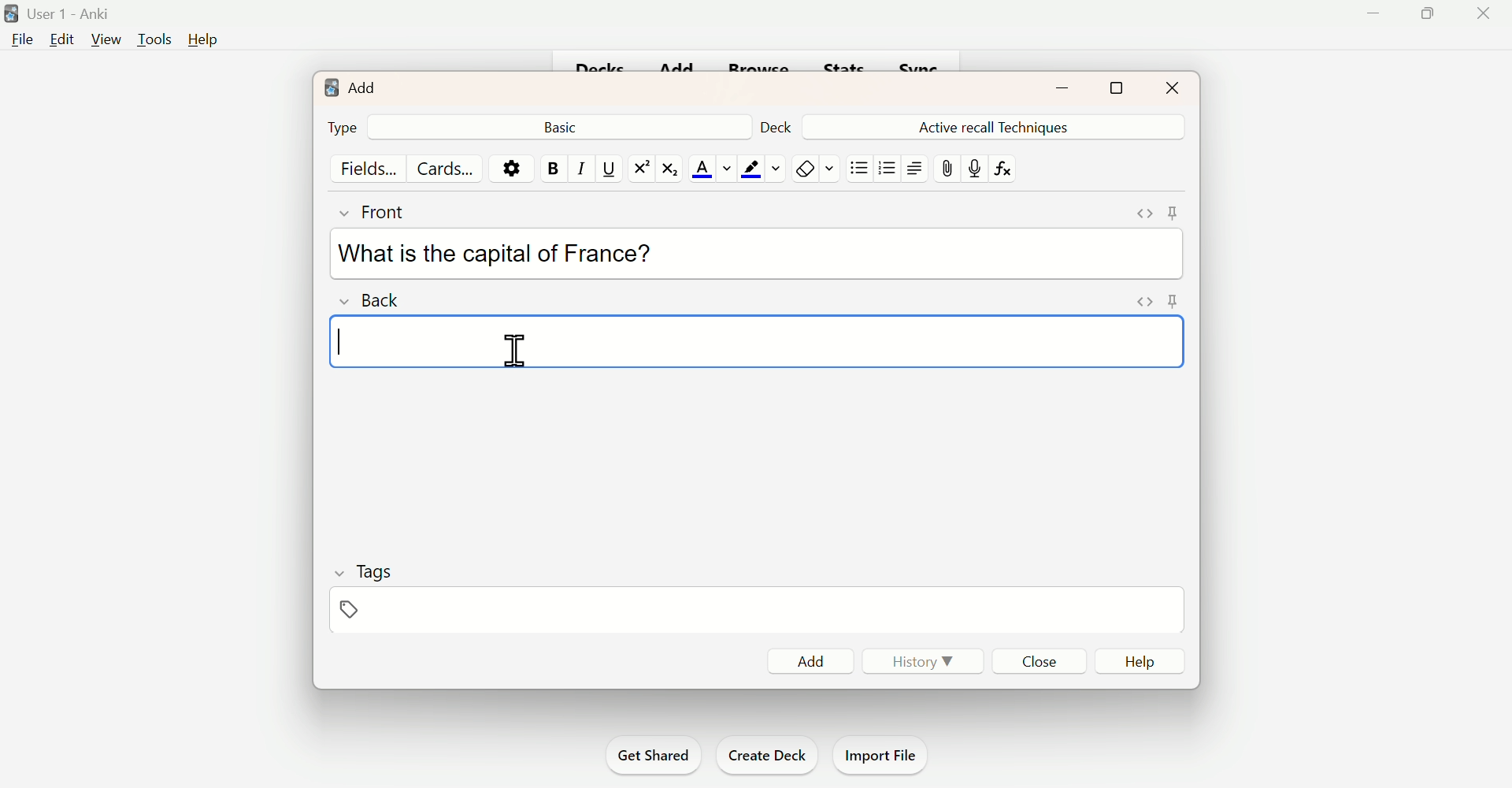 This screenshot has height=788, width=1512. I want to click on Underline, so click(609, 170).